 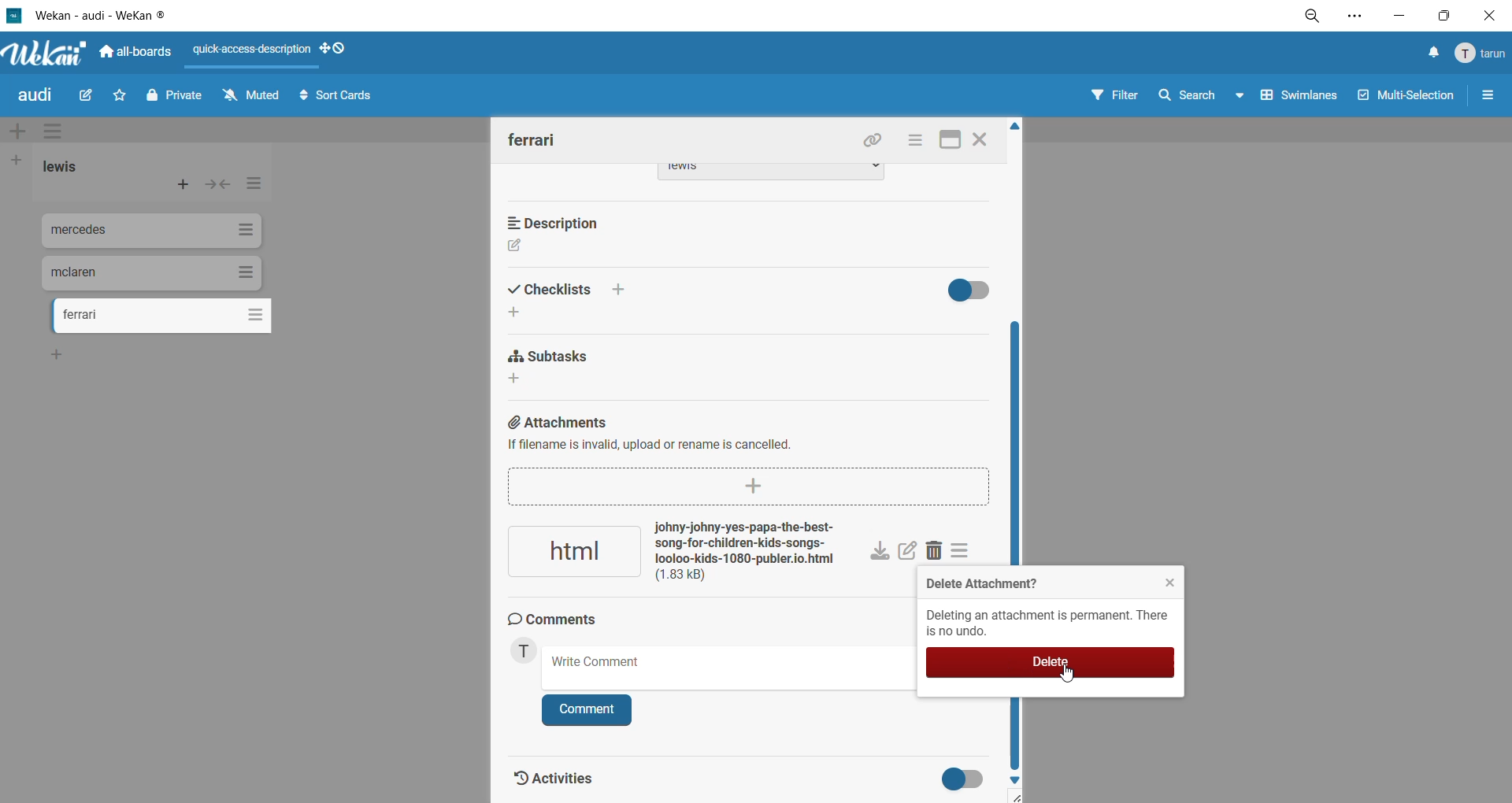 I want to click on delete, so click(x=939, y=553).